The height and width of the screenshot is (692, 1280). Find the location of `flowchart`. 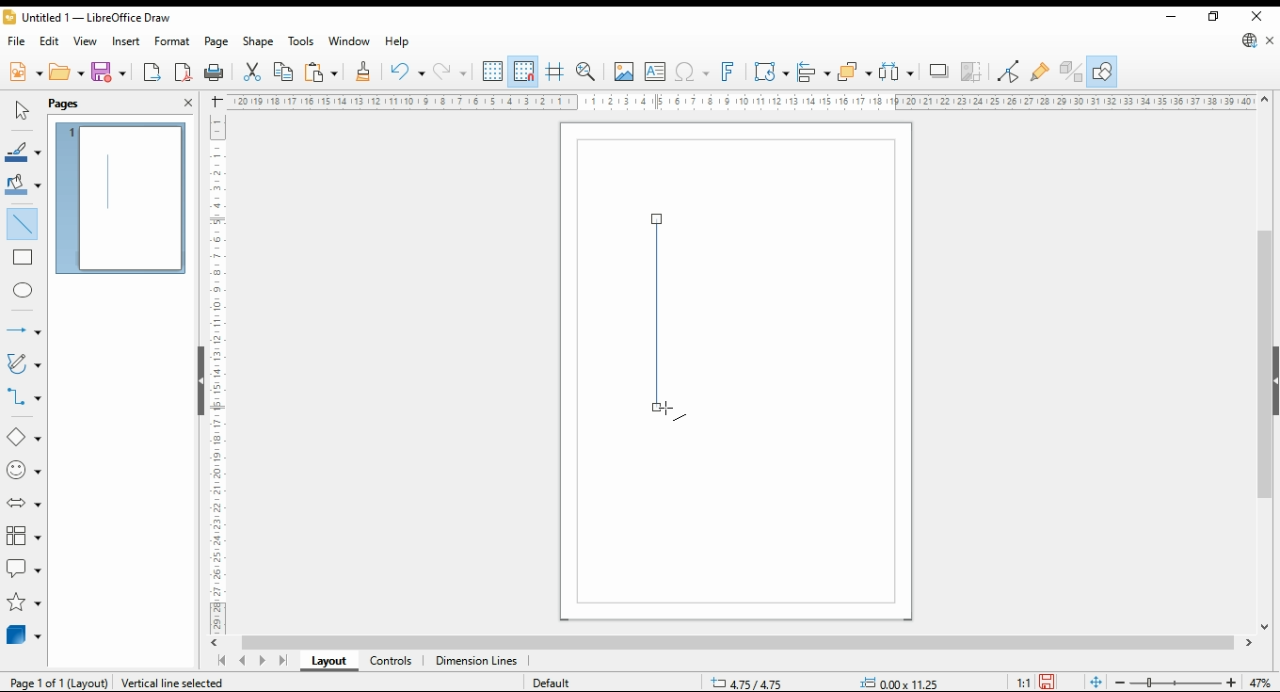

flowchart is located at coordinates (24, 537).